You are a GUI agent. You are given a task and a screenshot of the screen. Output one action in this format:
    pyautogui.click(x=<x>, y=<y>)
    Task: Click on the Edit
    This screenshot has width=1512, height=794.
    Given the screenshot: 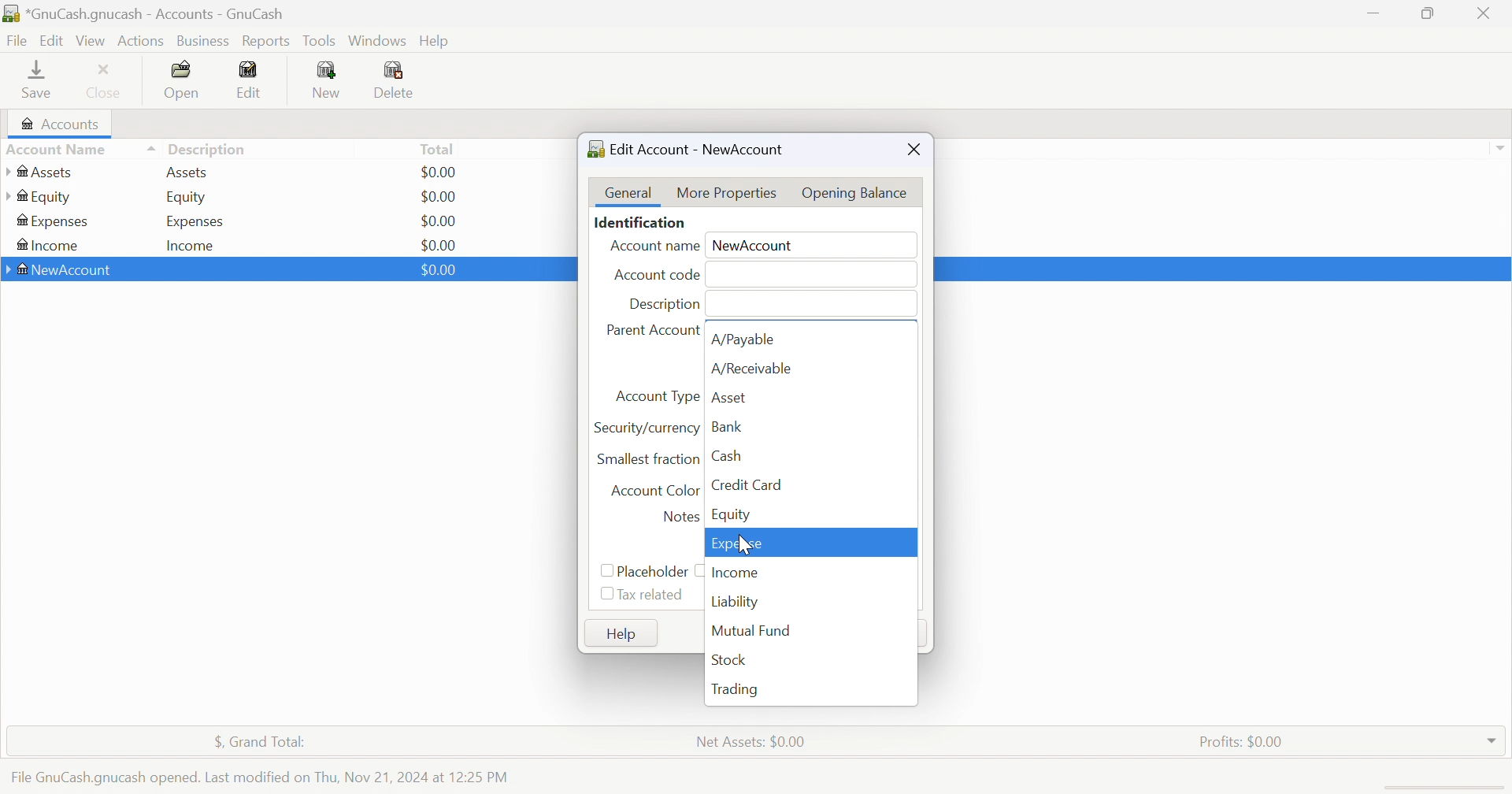 What is the action you would take?
    pyautogui.click(x=54, y=39)
    